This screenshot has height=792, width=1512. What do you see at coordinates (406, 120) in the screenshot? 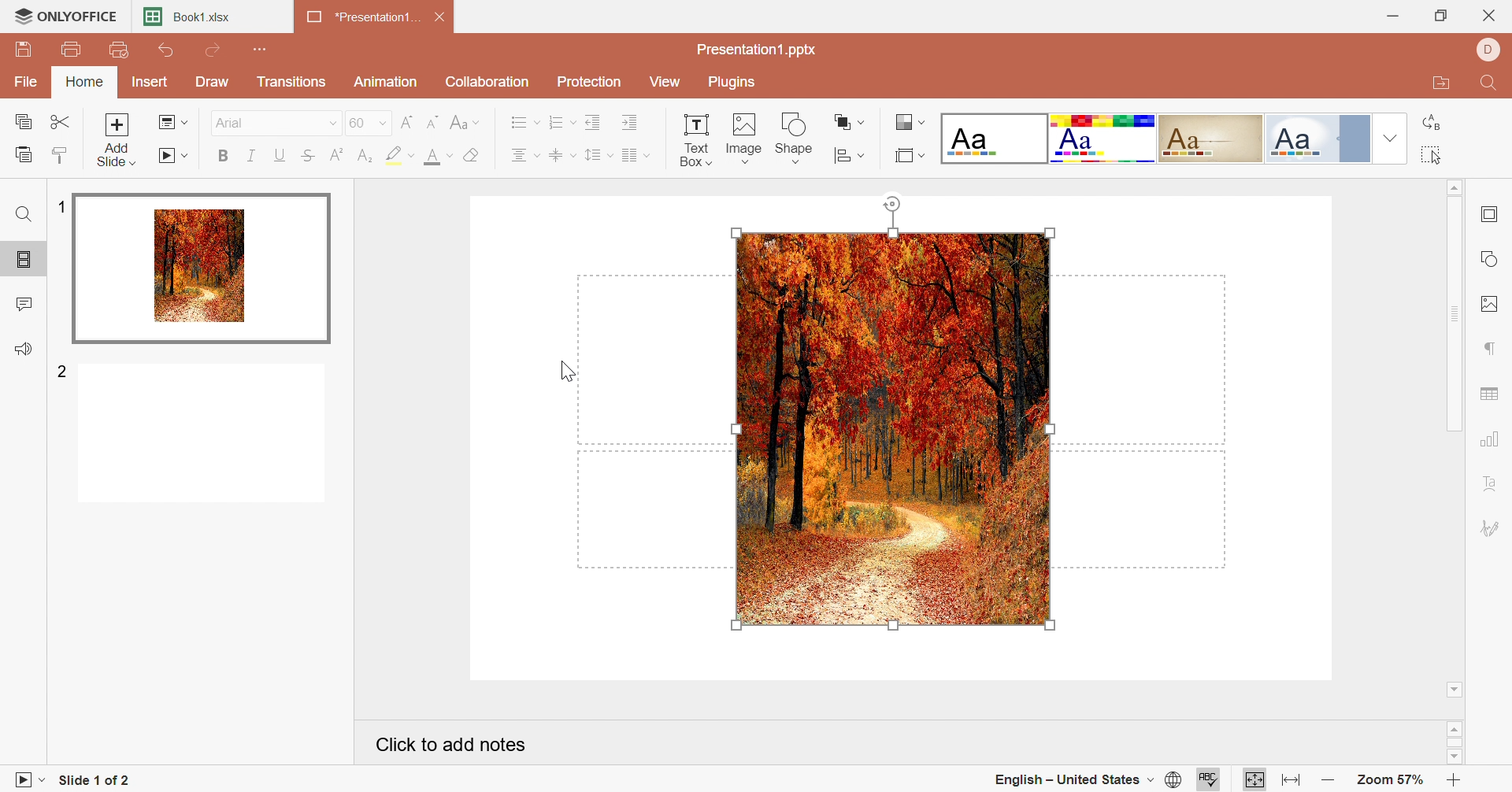
I see `Increment font size` at bounding box center [406, 120].